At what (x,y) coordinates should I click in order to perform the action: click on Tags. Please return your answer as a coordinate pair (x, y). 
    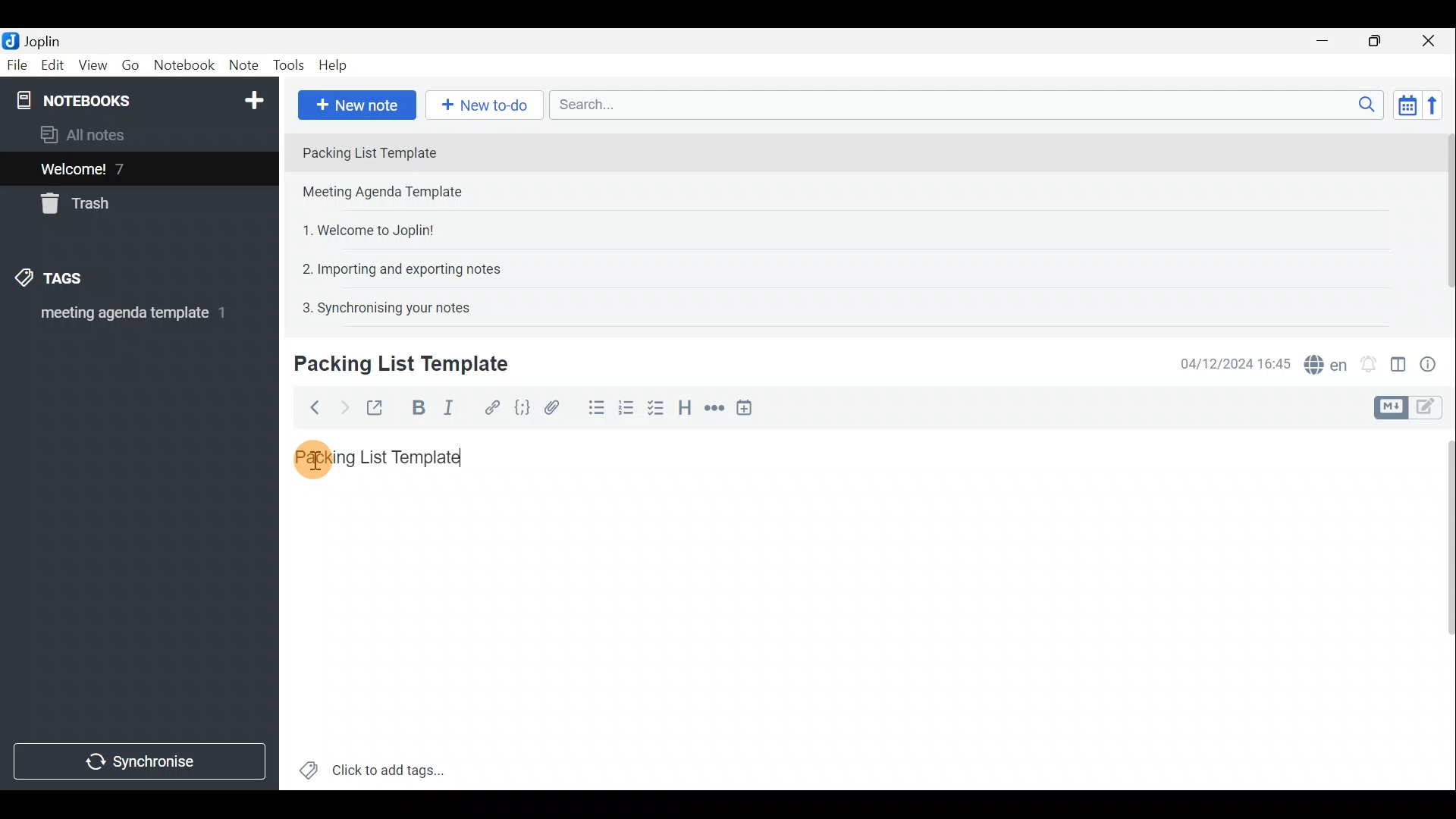
    Looking at the image, I should click on (74, 281).